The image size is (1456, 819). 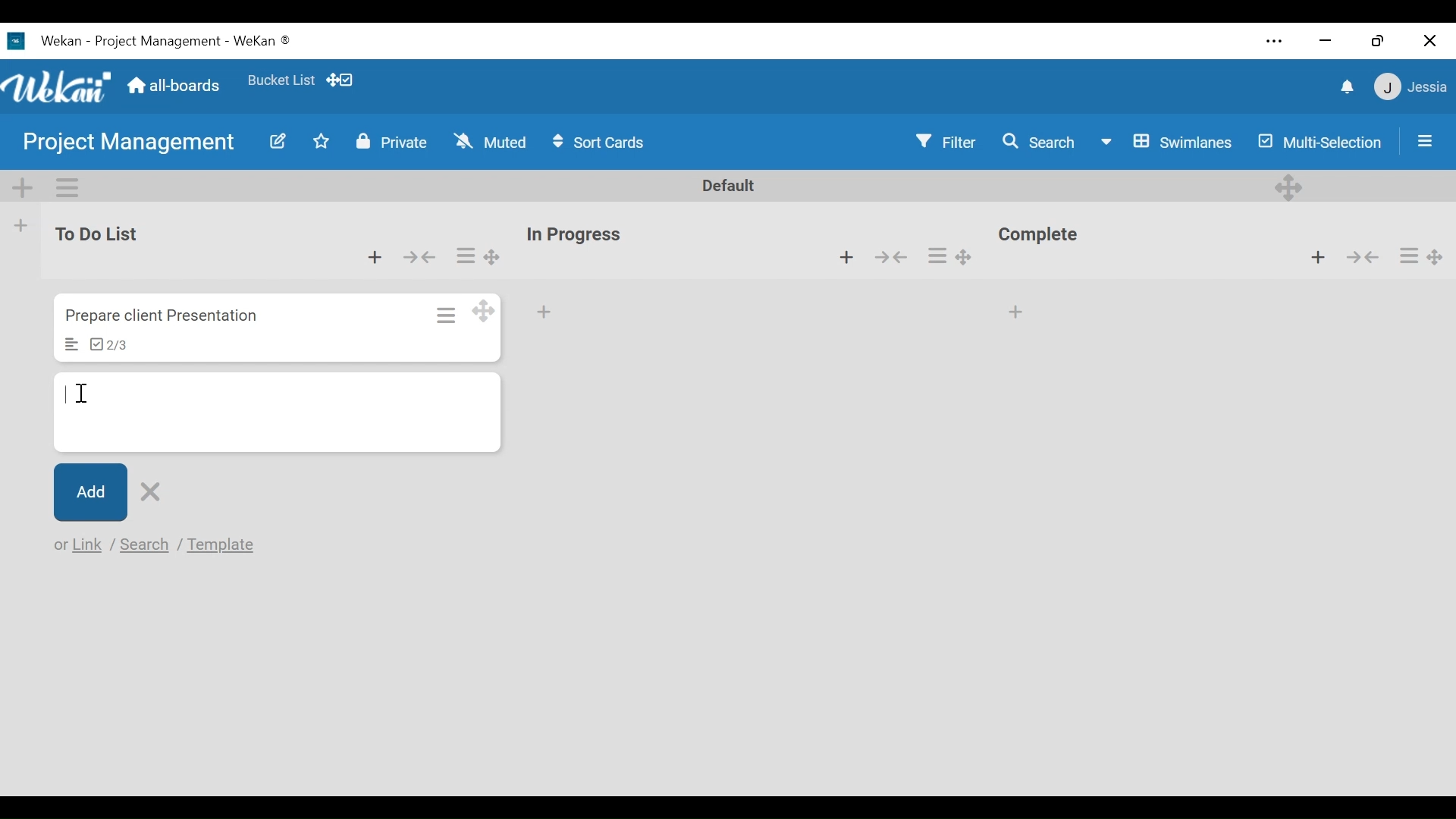 What do you see at coordinates (490, 257) in the screenshot?
I see `Desktop drag handles` at bounding box center [490, 257].